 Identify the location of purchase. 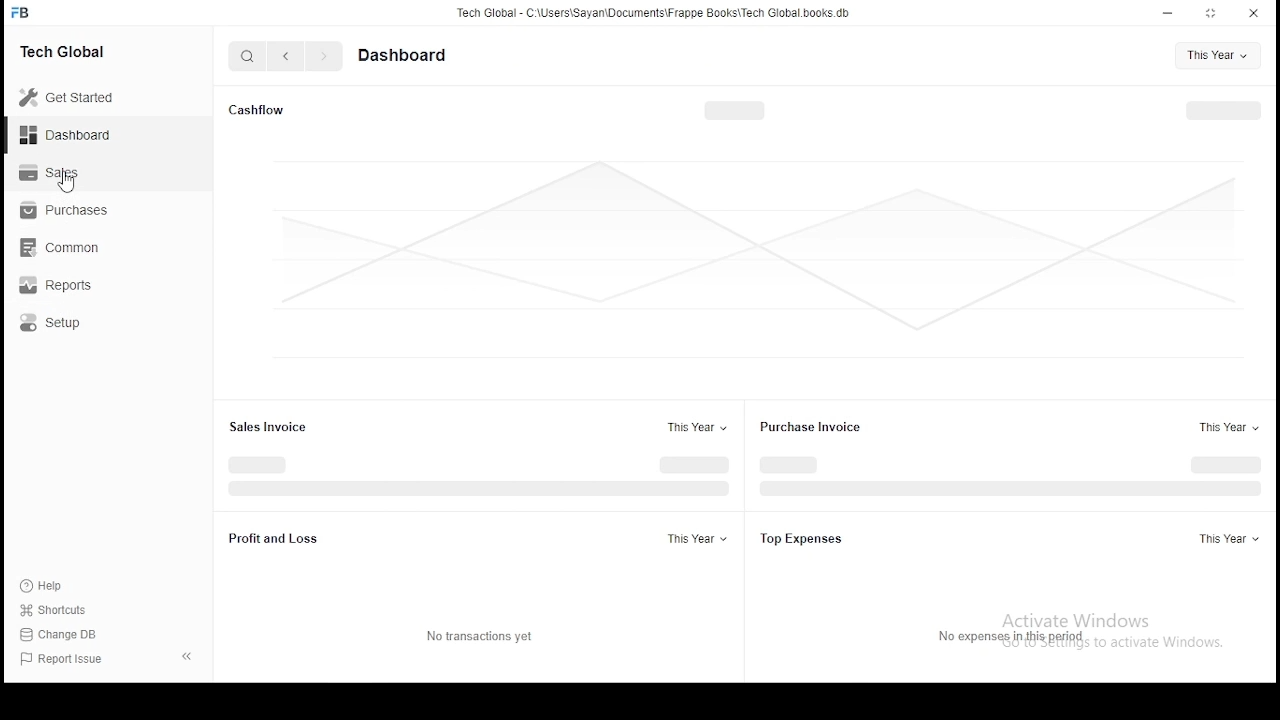
(69, 210).